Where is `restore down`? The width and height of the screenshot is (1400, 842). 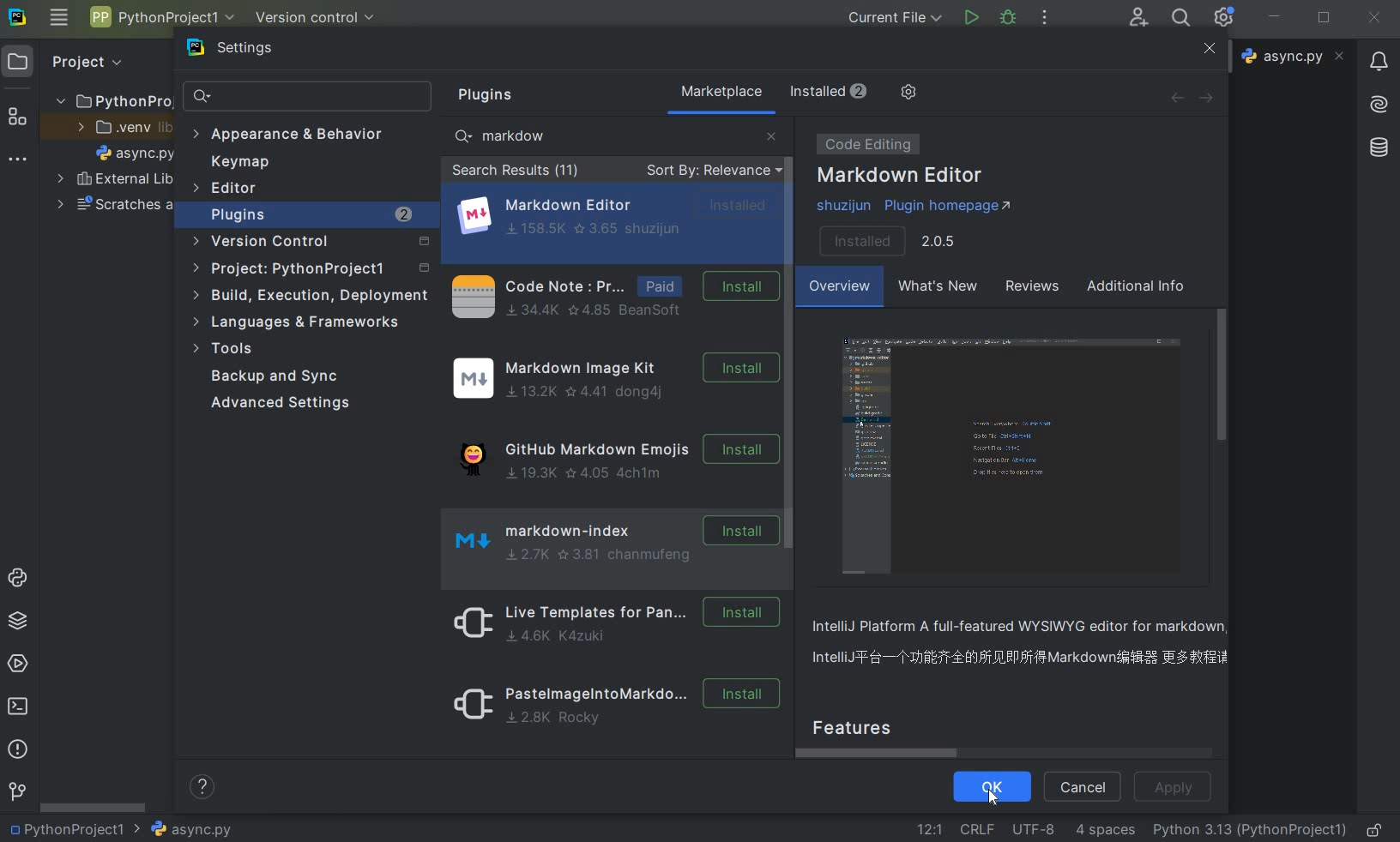 restore down is located at coordinates (1325, 19).